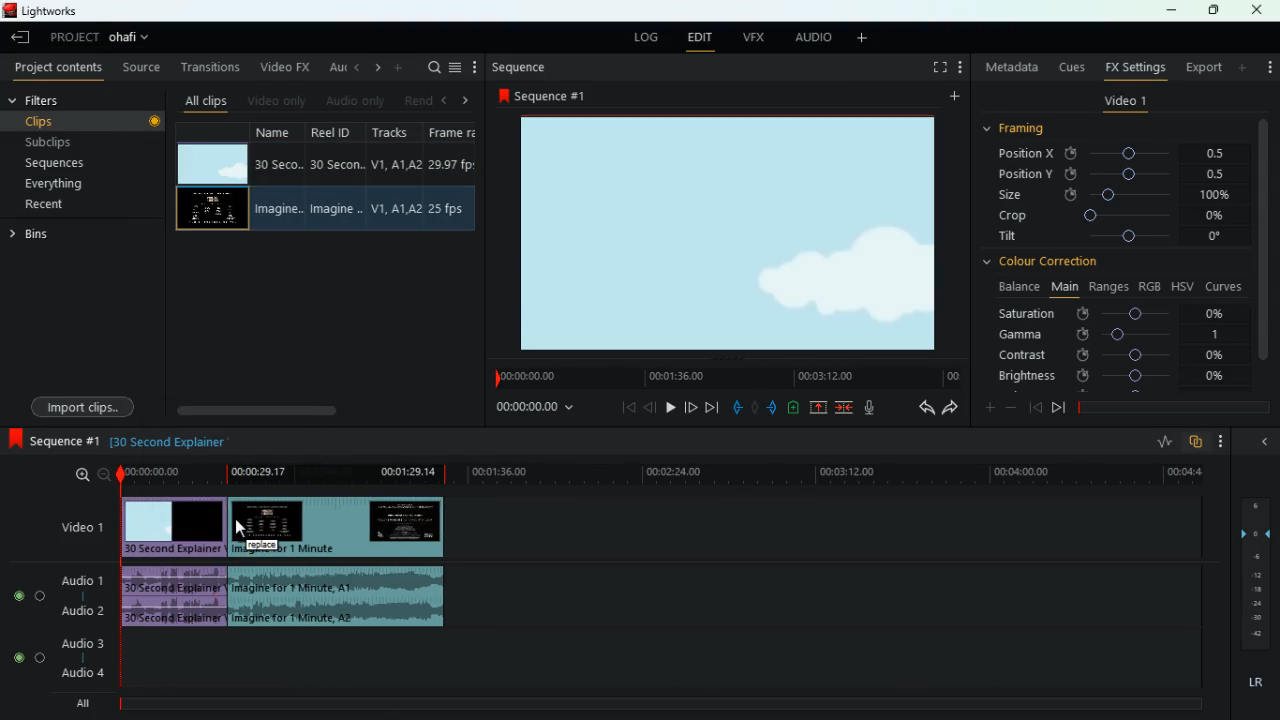  What do you see at coordinates (1115, 194) in the screenshot?
I see `size` at bounding box center [1115, 194].